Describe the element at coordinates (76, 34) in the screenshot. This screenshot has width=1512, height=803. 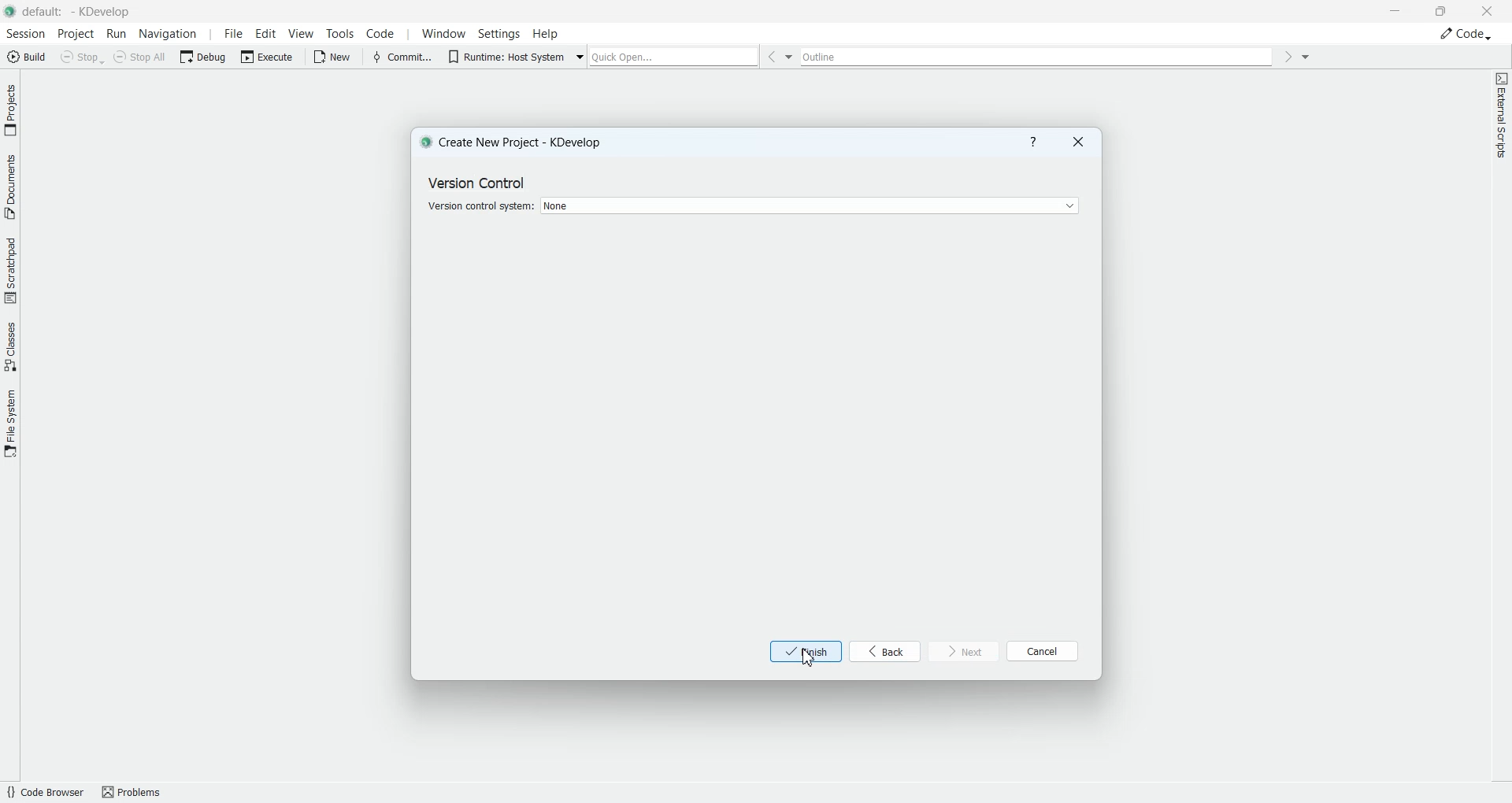
I see `Project` at that location.